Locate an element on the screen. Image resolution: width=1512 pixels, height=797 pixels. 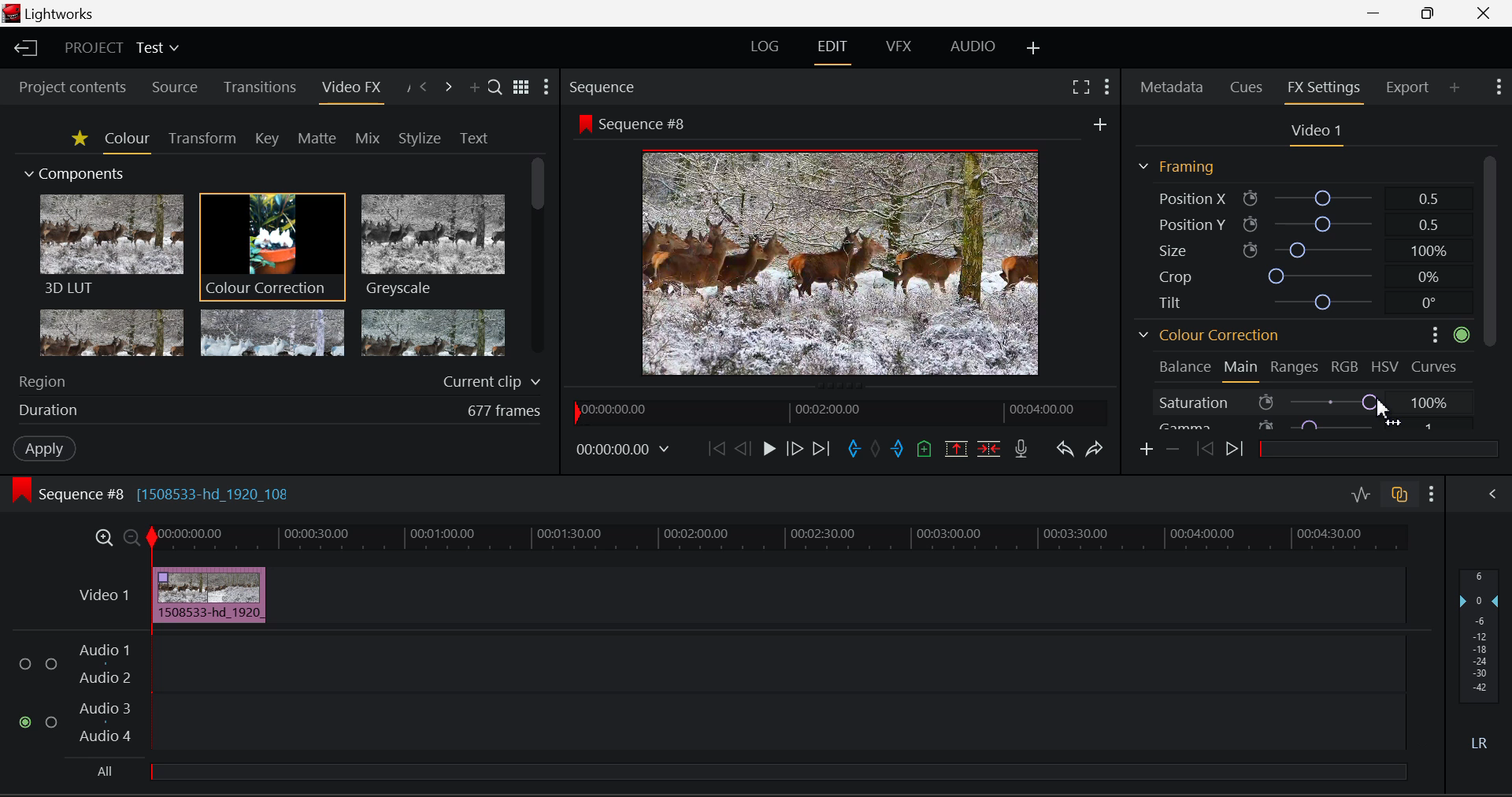
Next Panel is located at coordinates (448, 86).